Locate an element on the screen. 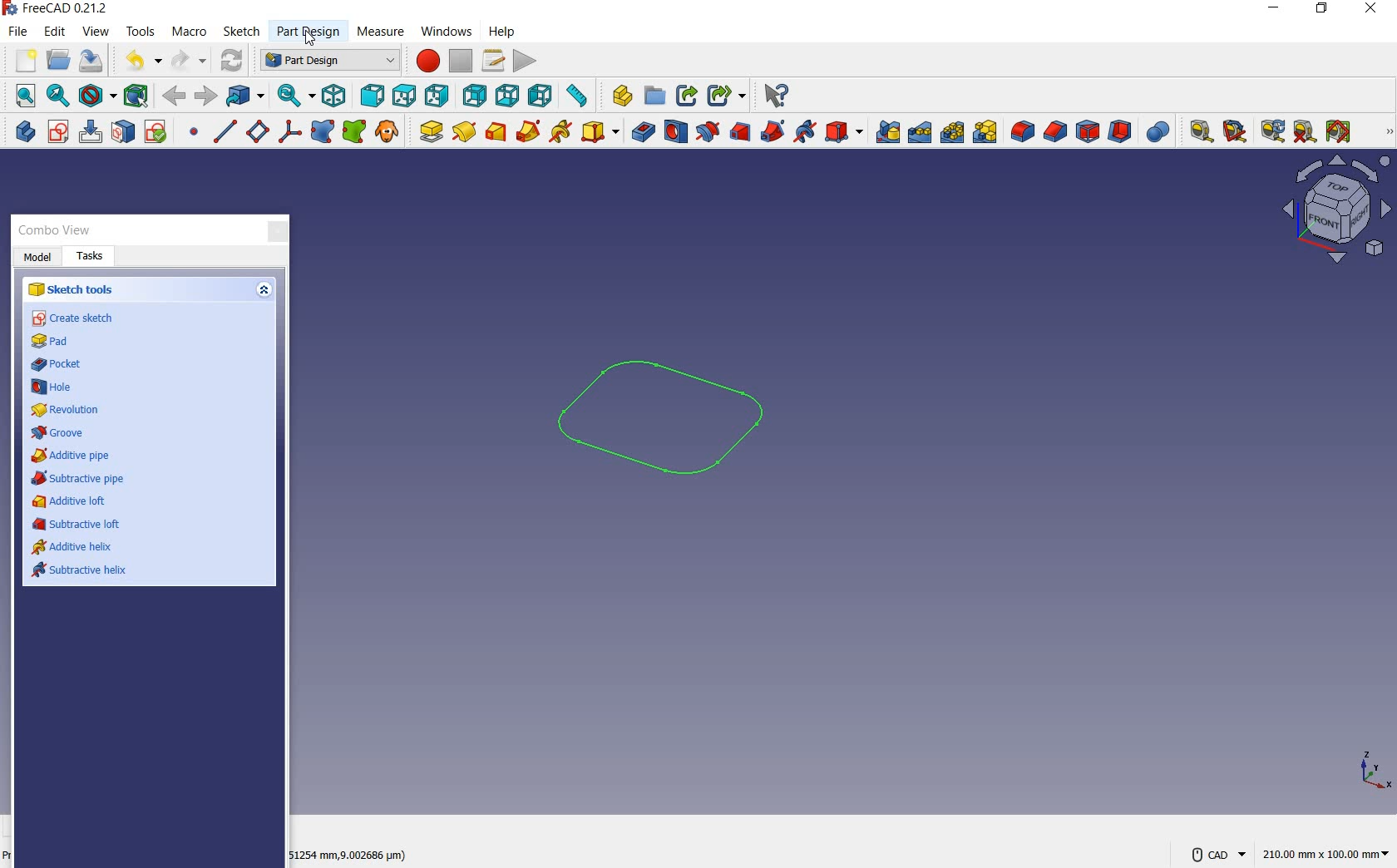 The height and width of the screenshot is (868, 1397). right is located at coordinates (437, 96).